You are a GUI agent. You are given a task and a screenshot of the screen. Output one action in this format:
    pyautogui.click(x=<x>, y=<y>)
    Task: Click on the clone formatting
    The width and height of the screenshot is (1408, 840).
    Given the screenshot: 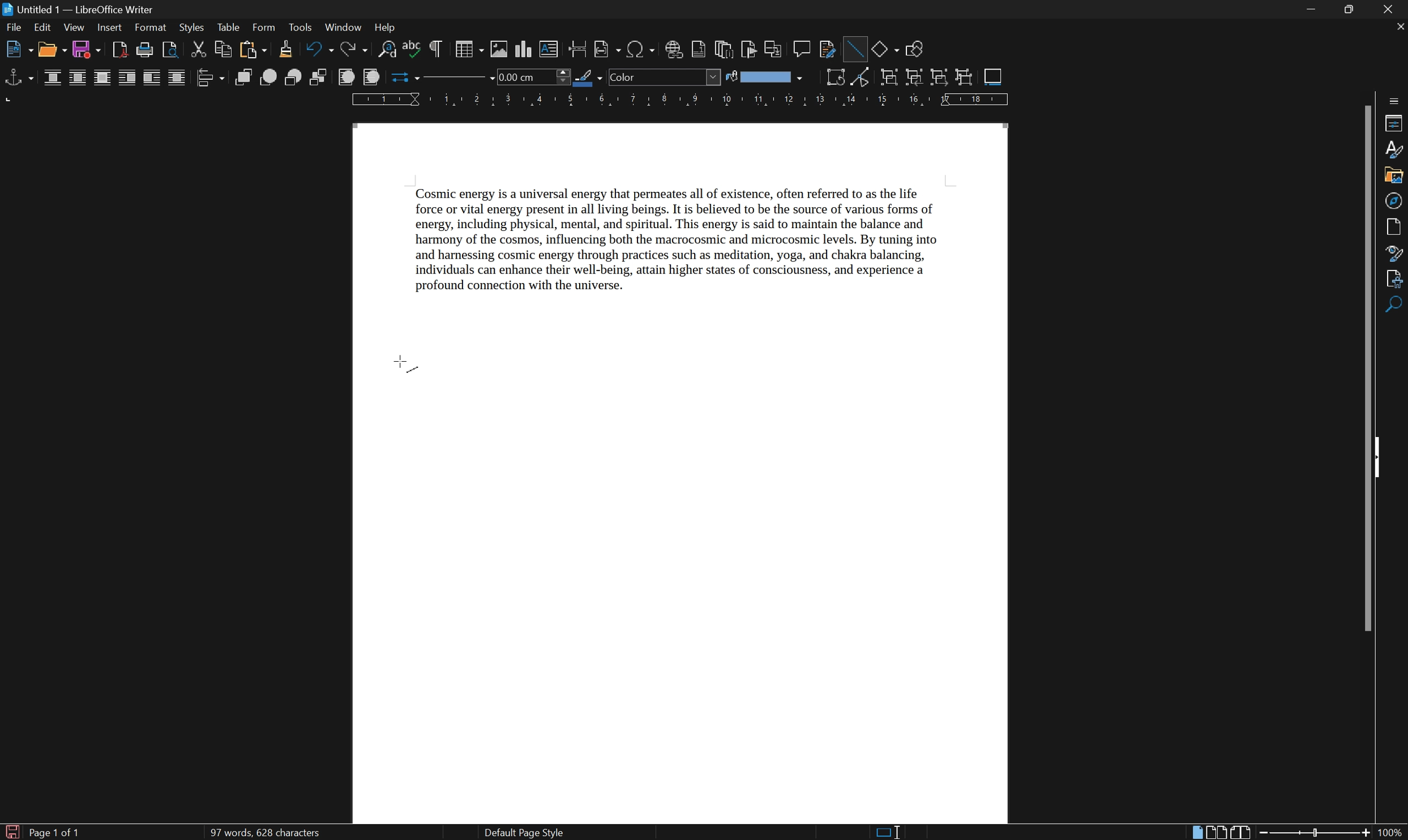 What is the action you would take?
    pyautogui.click(x=285, y=49)
    